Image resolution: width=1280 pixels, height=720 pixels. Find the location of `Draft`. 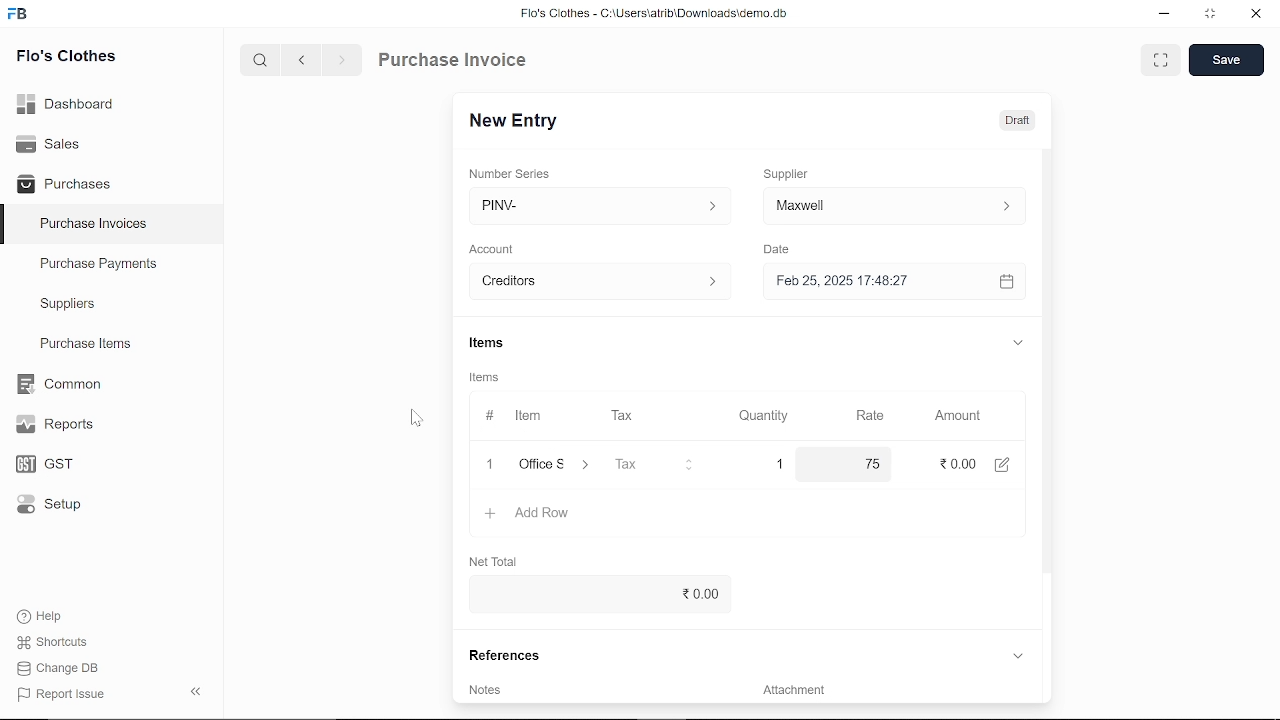

Draft is located at coordinates (1017, 121).